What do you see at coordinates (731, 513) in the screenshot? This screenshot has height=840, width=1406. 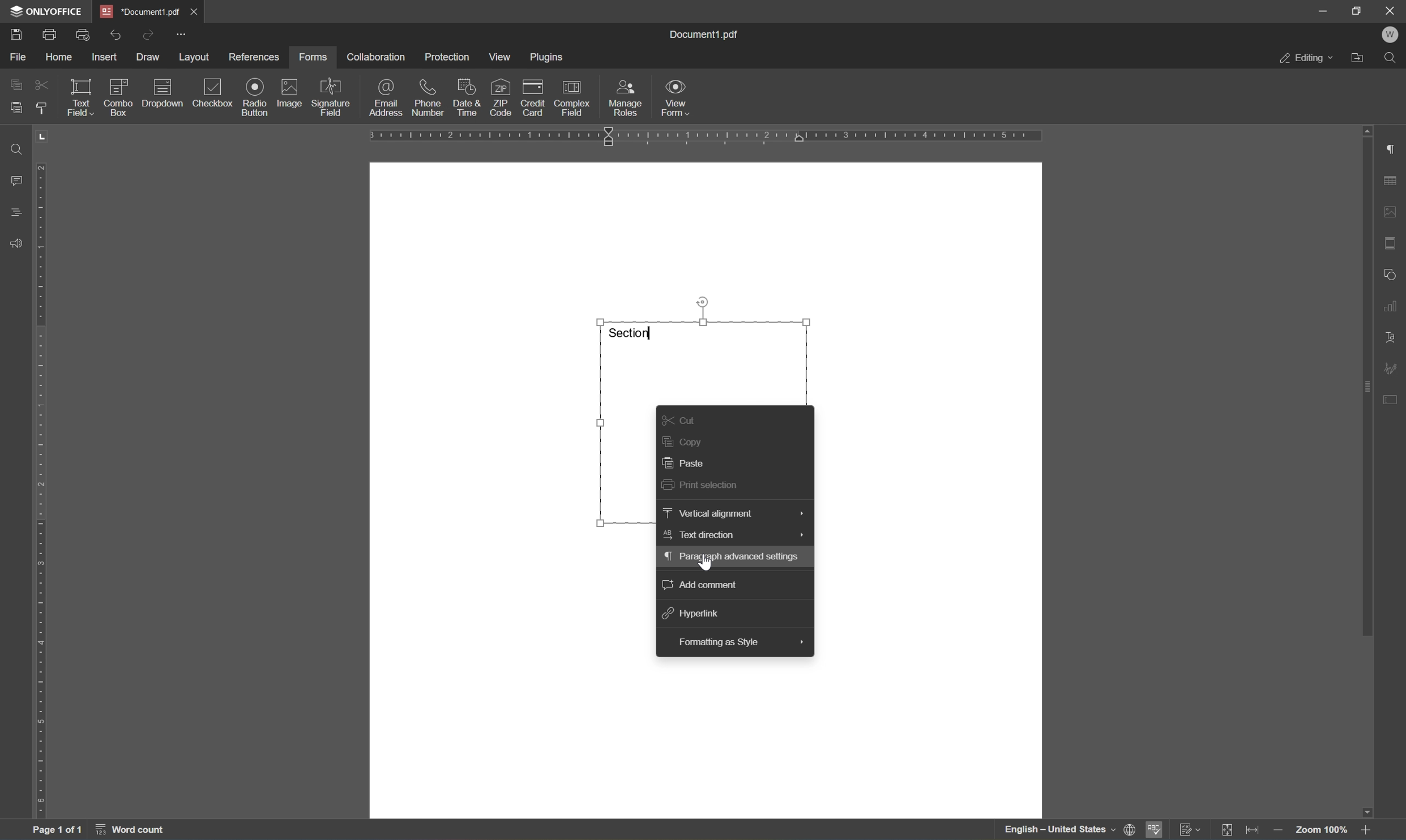 I see `vertical alignment` at bounding box center [731, 513].